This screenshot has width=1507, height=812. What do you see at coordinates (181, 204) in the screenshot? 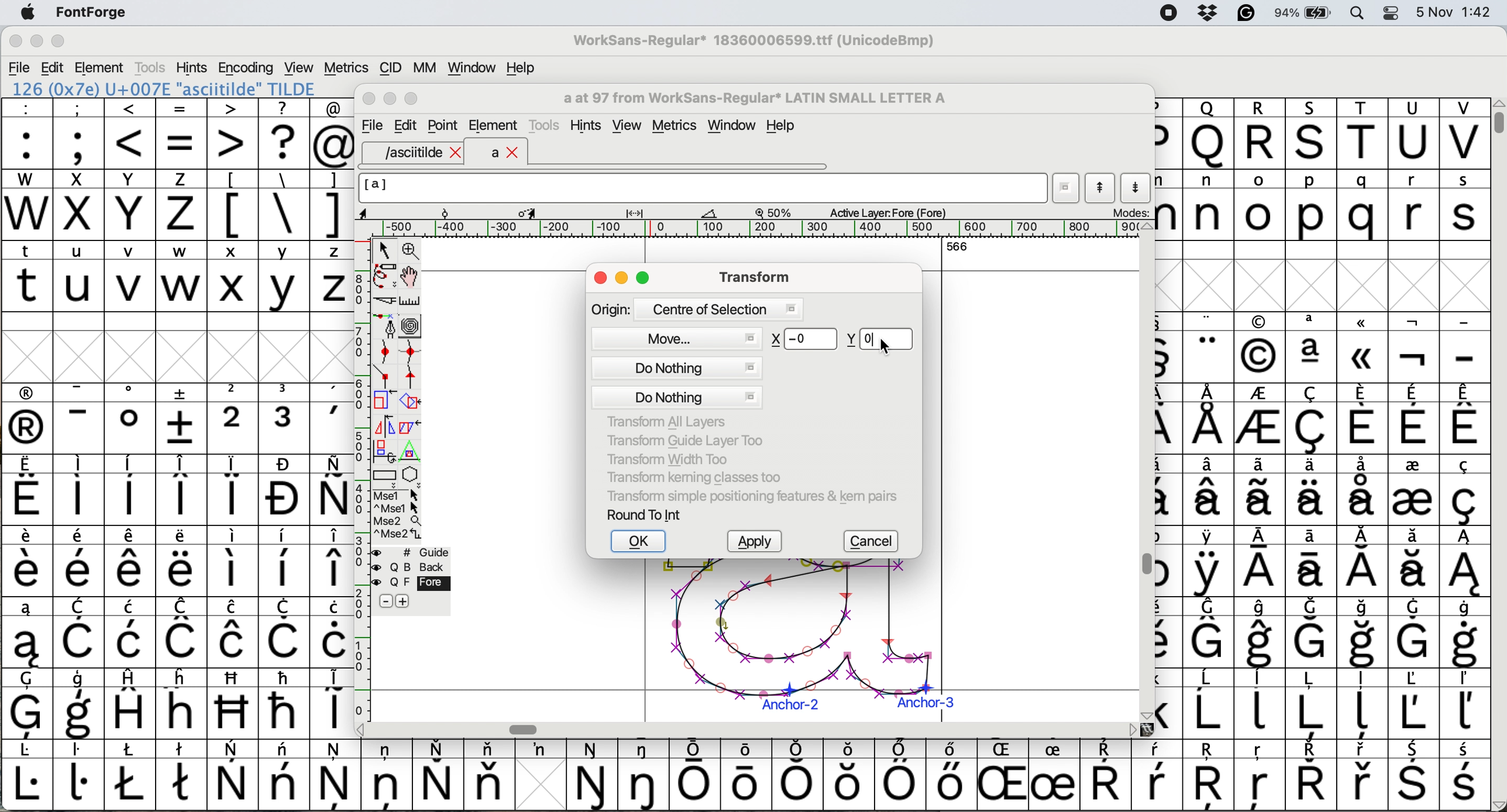
I see `z` at bounding box center [181, 204].